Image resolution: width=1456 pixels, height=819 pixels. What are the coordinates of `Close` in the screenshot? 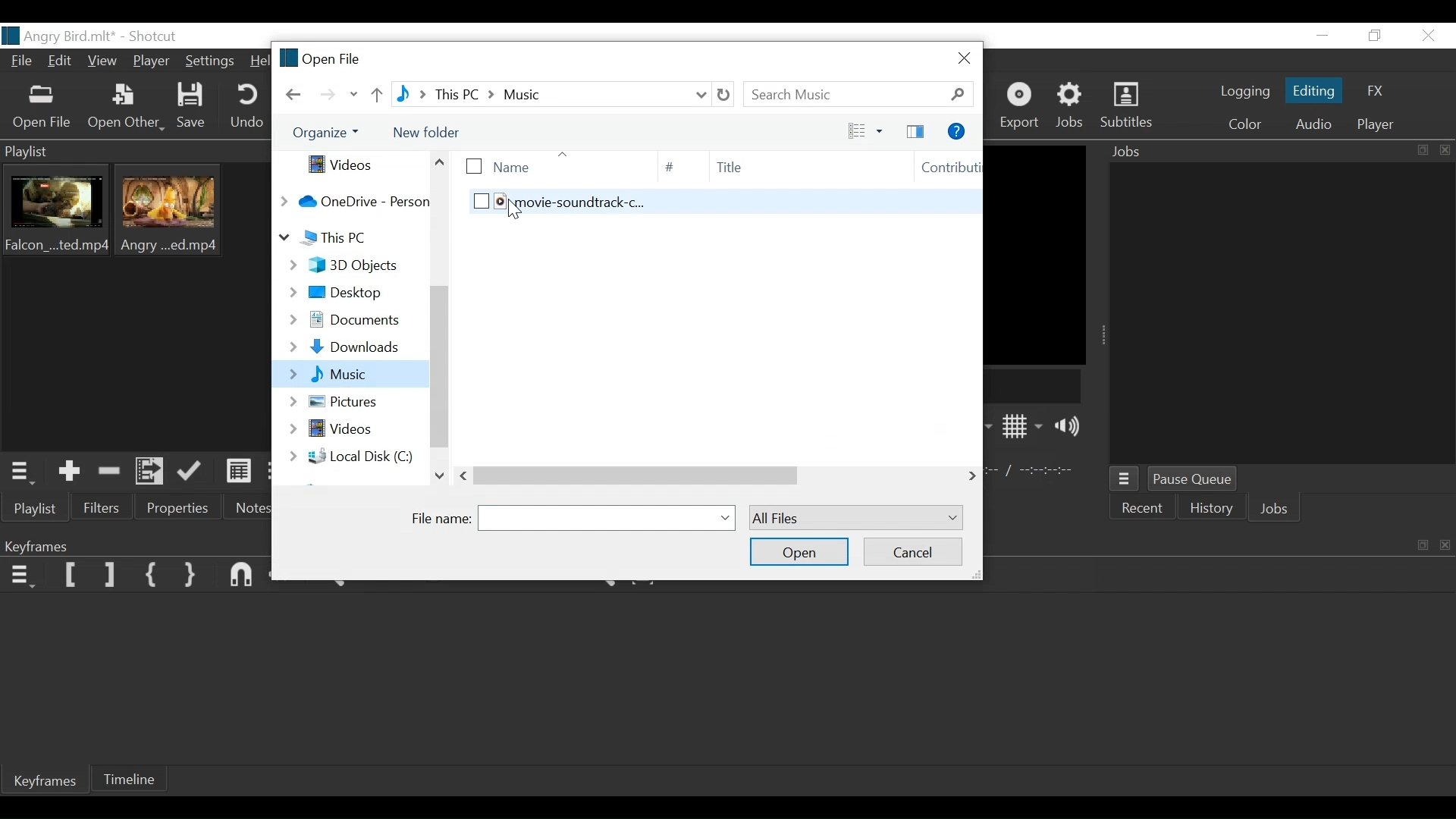 It's located at (1429, 36).